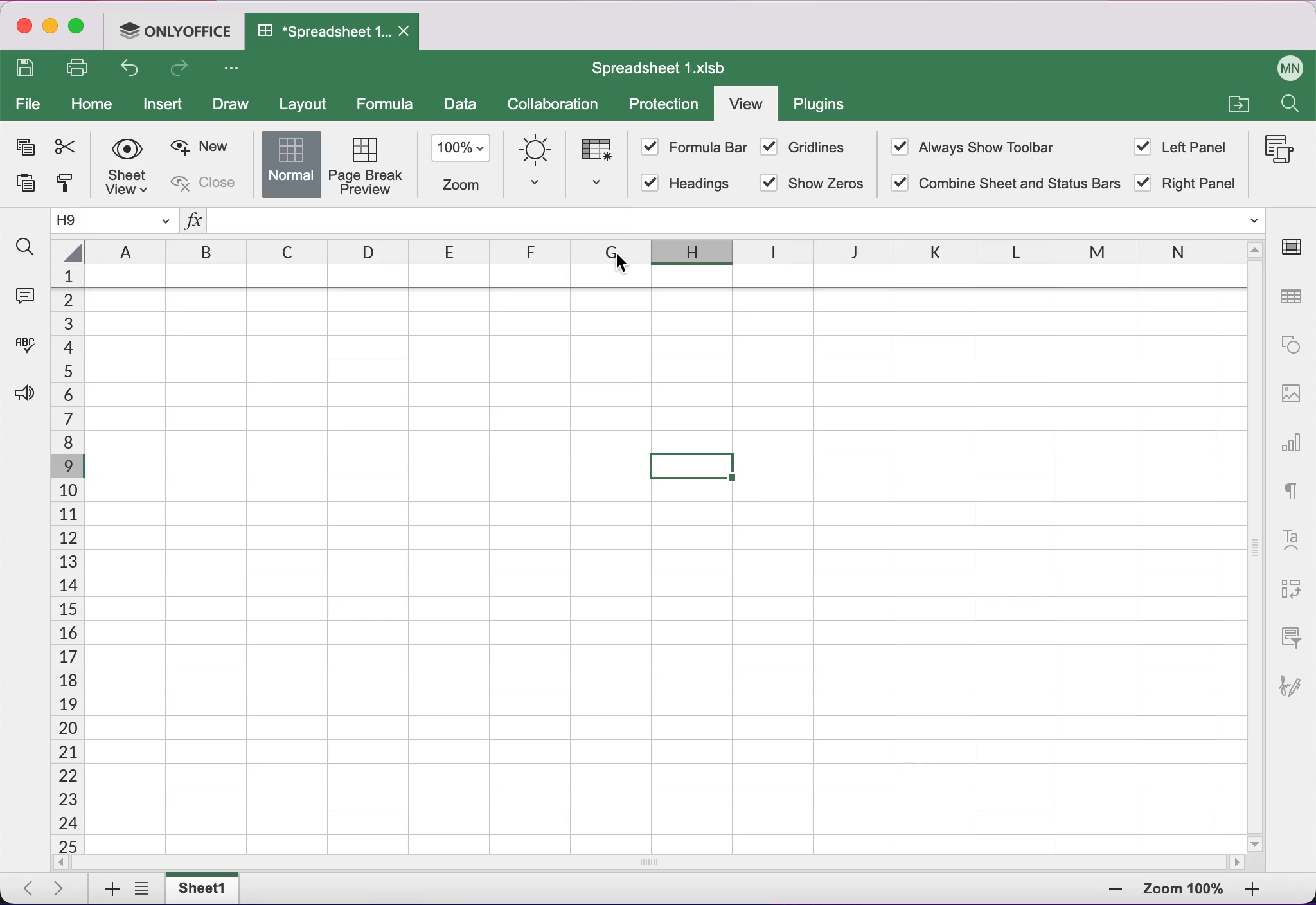  Describe the element at coordinates (1183, 889) in the screenshot. I see `zoom` at that location.